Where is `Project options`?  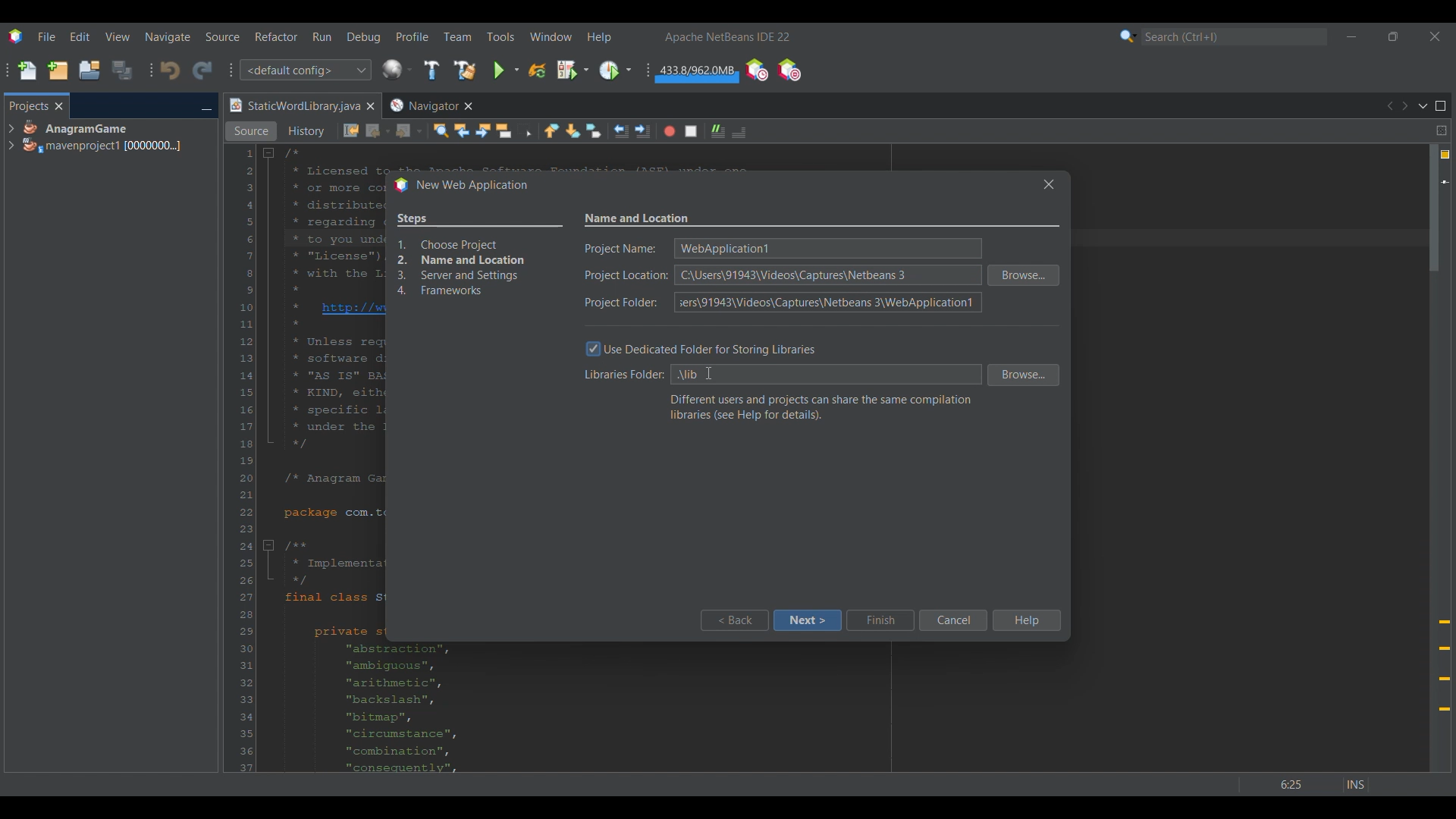
Project options is located at coordinates (103, 136).